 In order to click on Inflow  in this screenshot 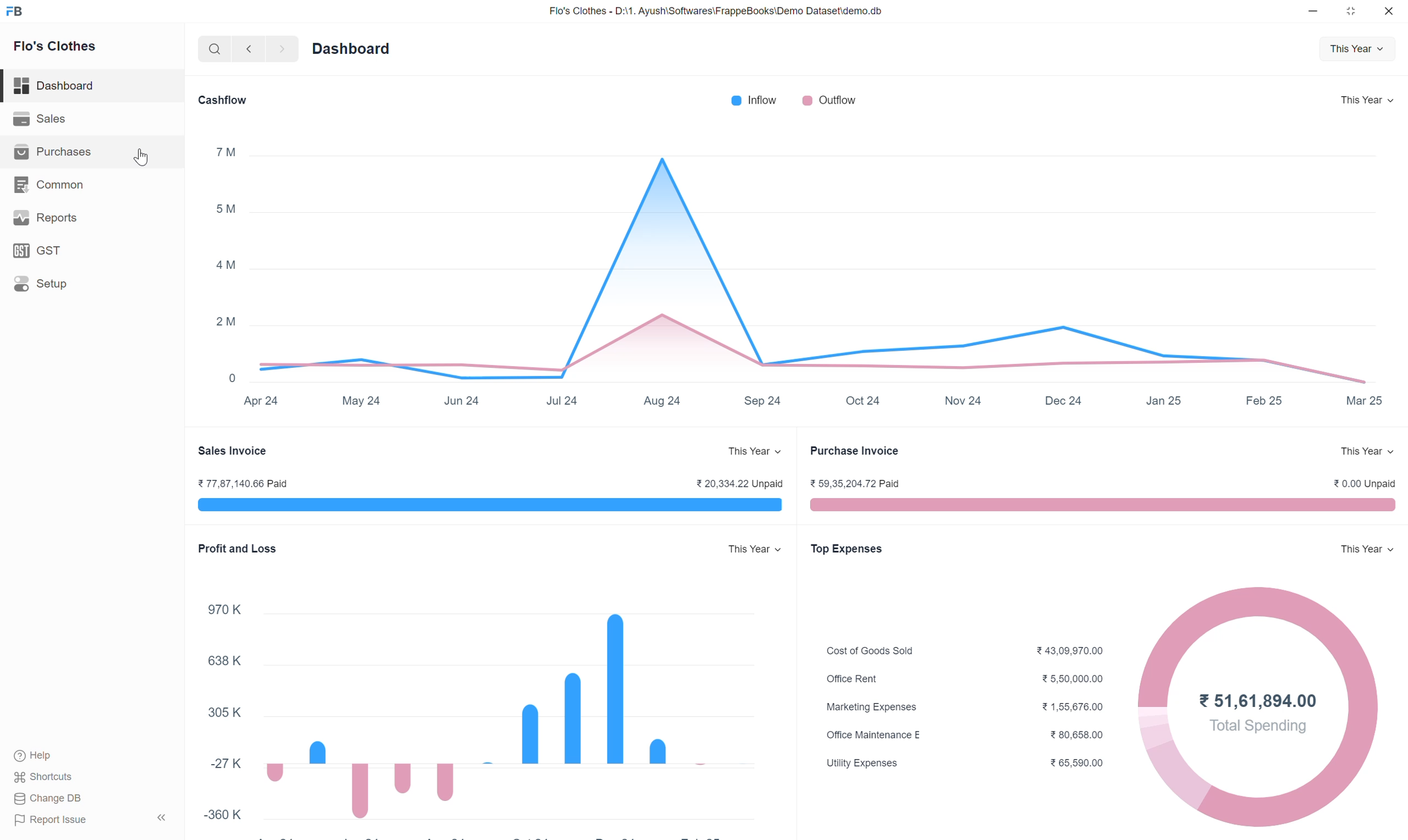, I will do `click(755, 100)`.